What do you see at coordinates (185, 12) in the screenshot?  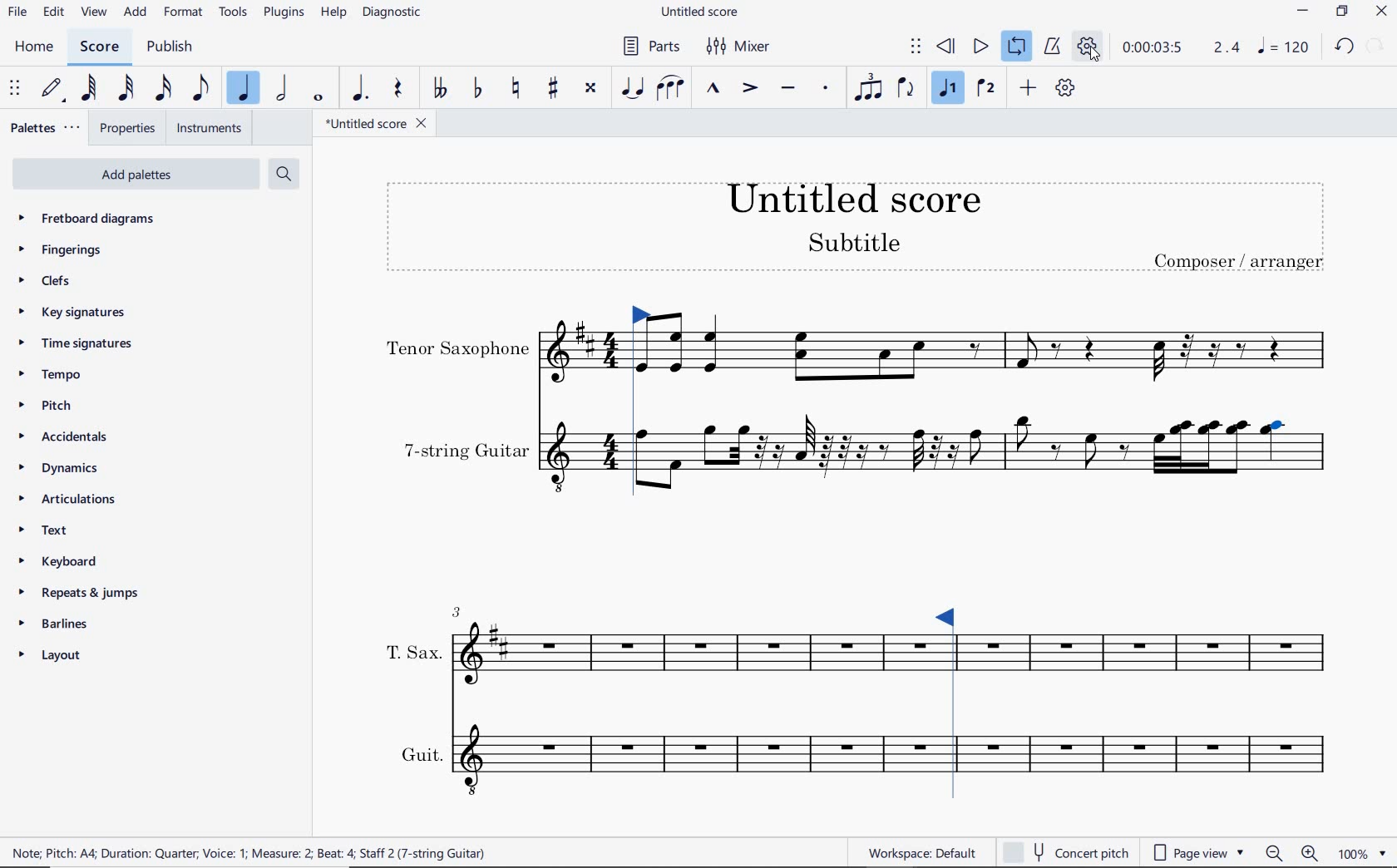 I see `FORMAT` at bounding box center [185, 12].